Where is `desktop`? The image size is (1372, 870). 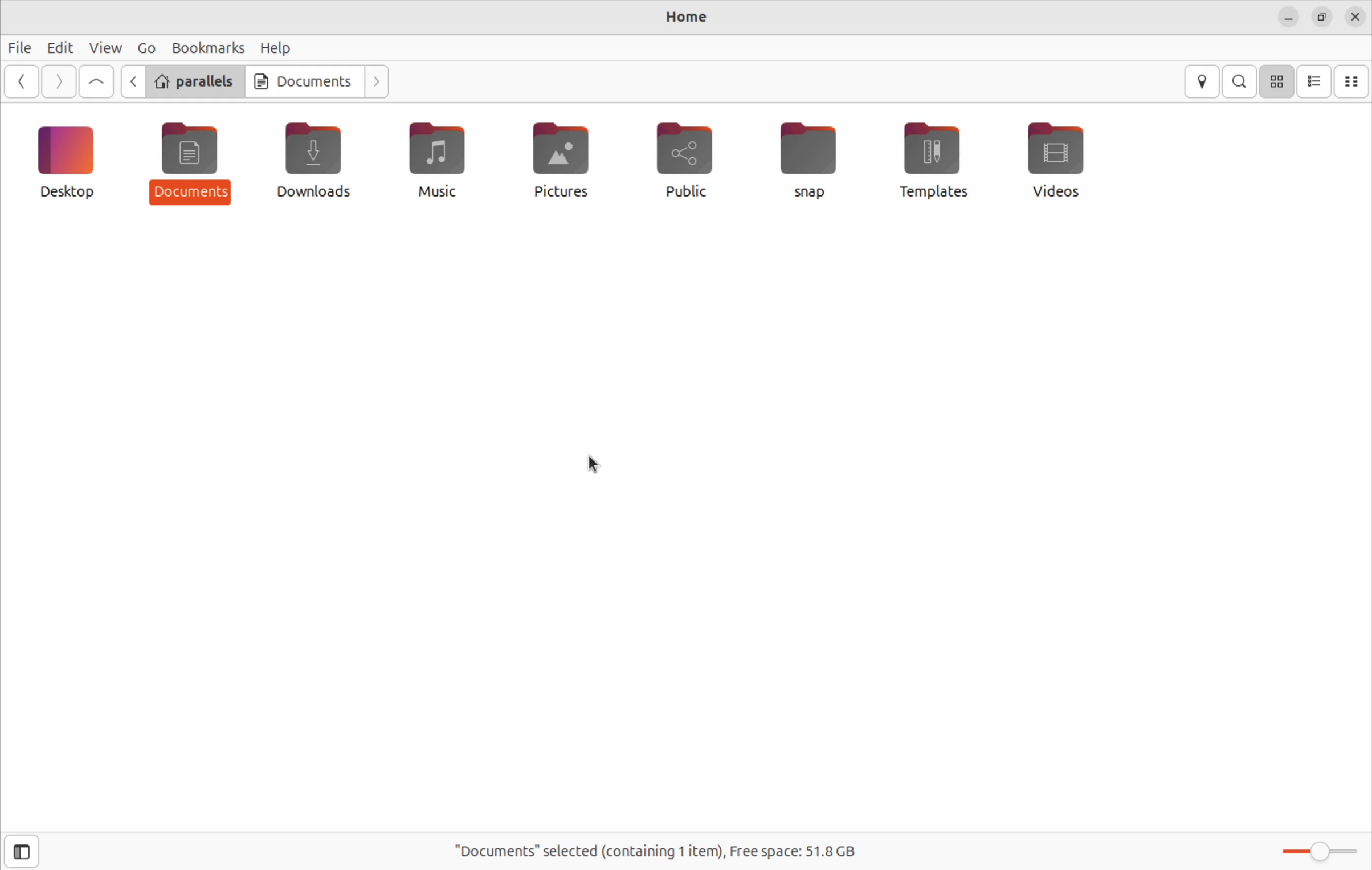 desktop is located at coordinates (75, 164).